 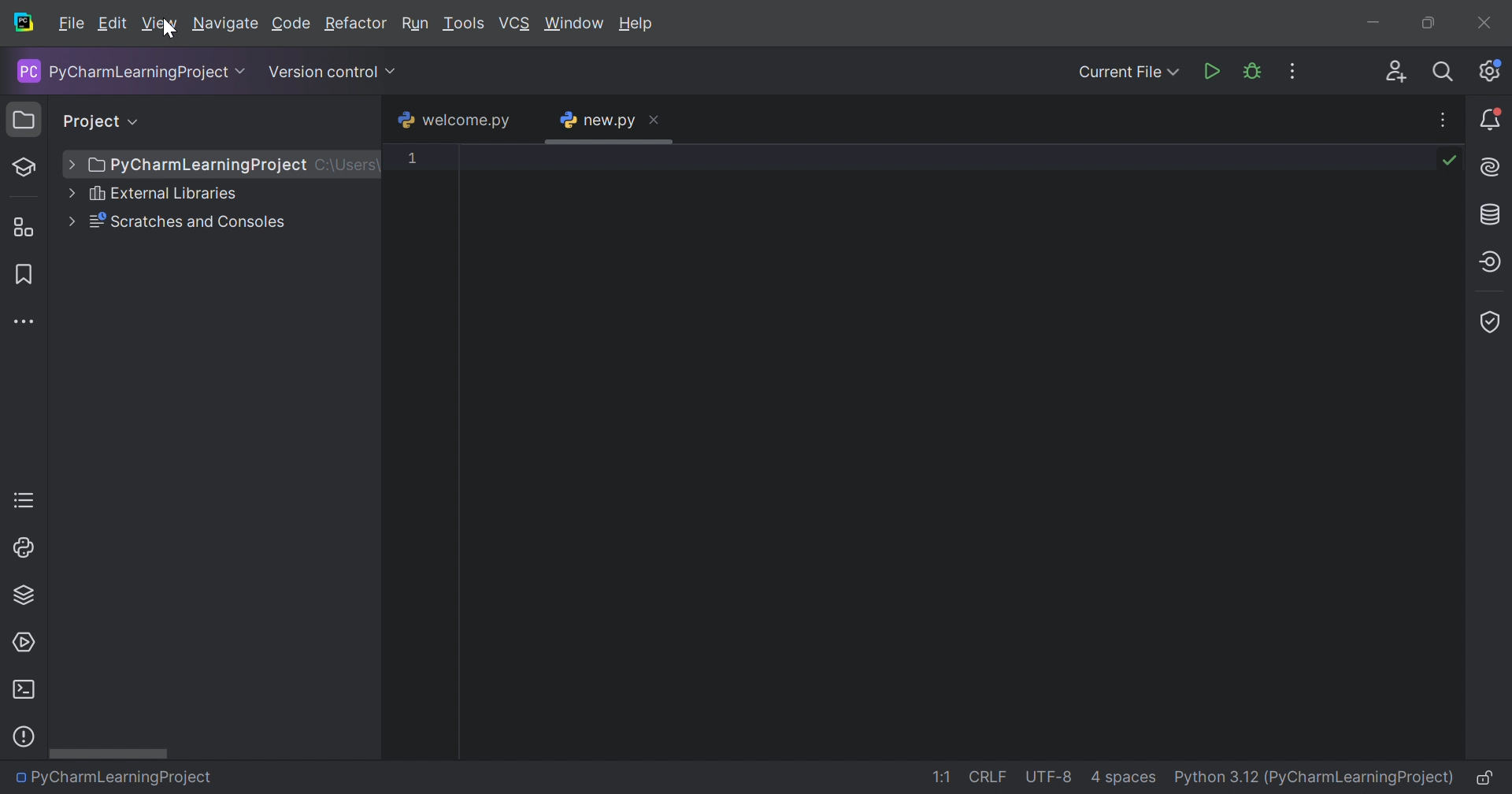 What do you see at coordinates (335, 74) in the screenshot?
I see `Version control` at bounding box center [335, 74].